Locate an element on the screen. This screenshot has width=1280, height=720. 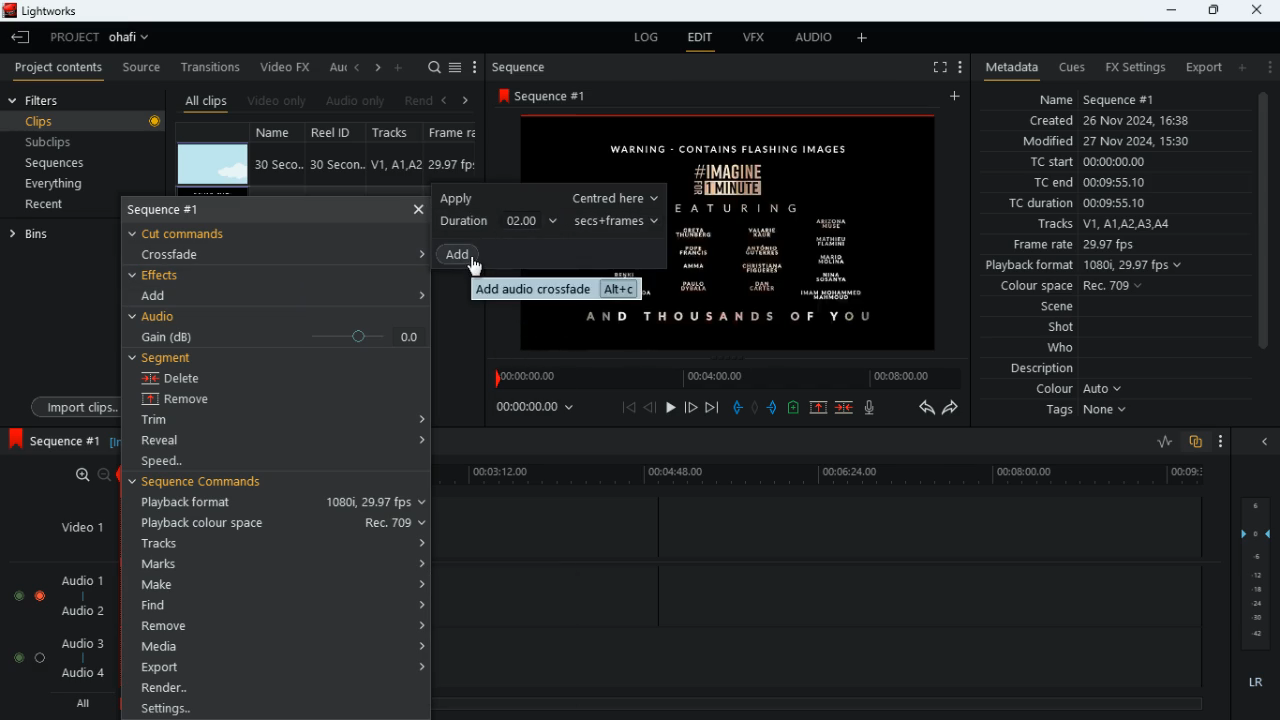
tracks is located at coordinates (398, 133).